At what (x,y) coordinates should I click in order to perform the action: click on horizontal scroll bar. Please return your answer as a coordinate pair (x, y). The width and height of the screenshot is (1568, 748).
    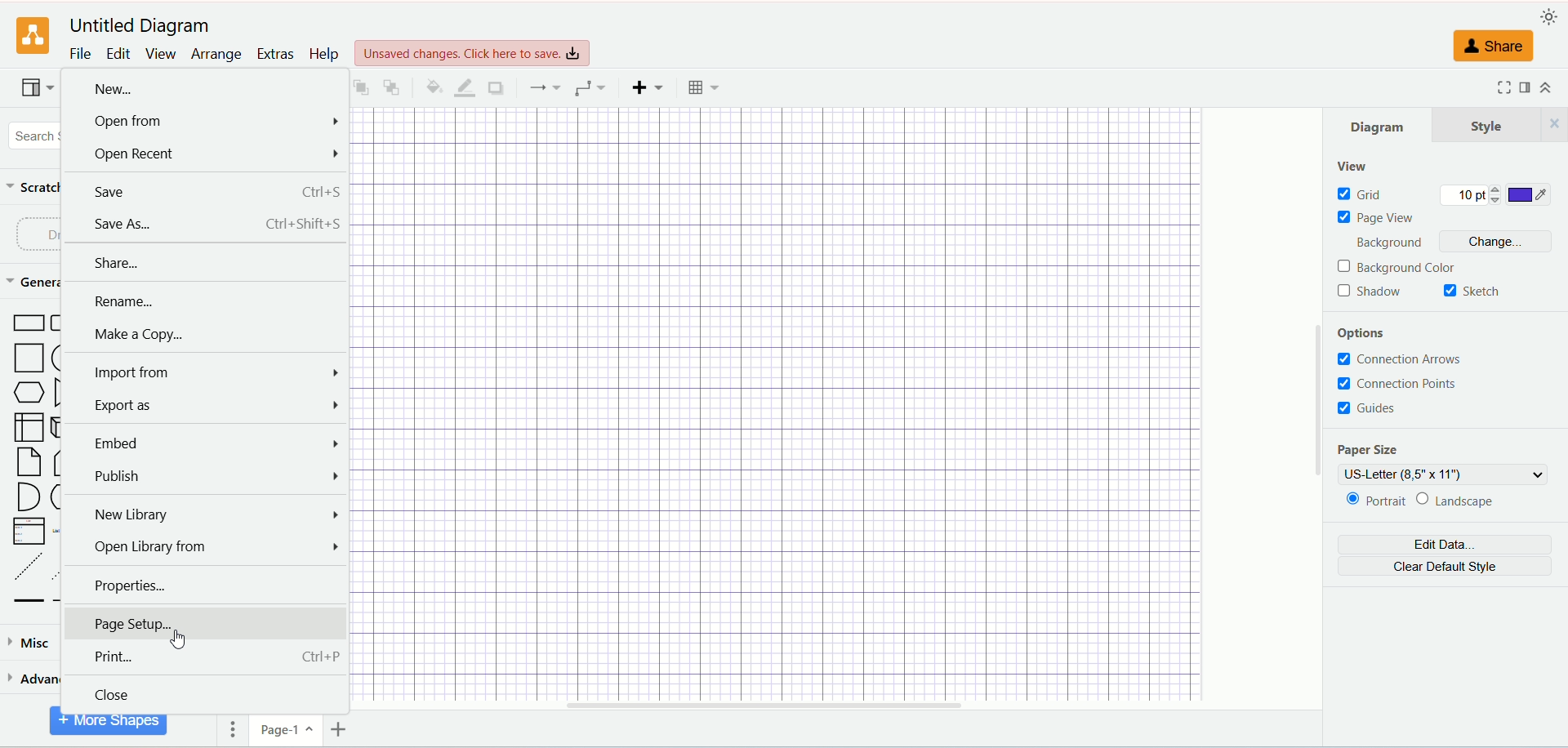
    Looking at the image, I should click on (832, 709).